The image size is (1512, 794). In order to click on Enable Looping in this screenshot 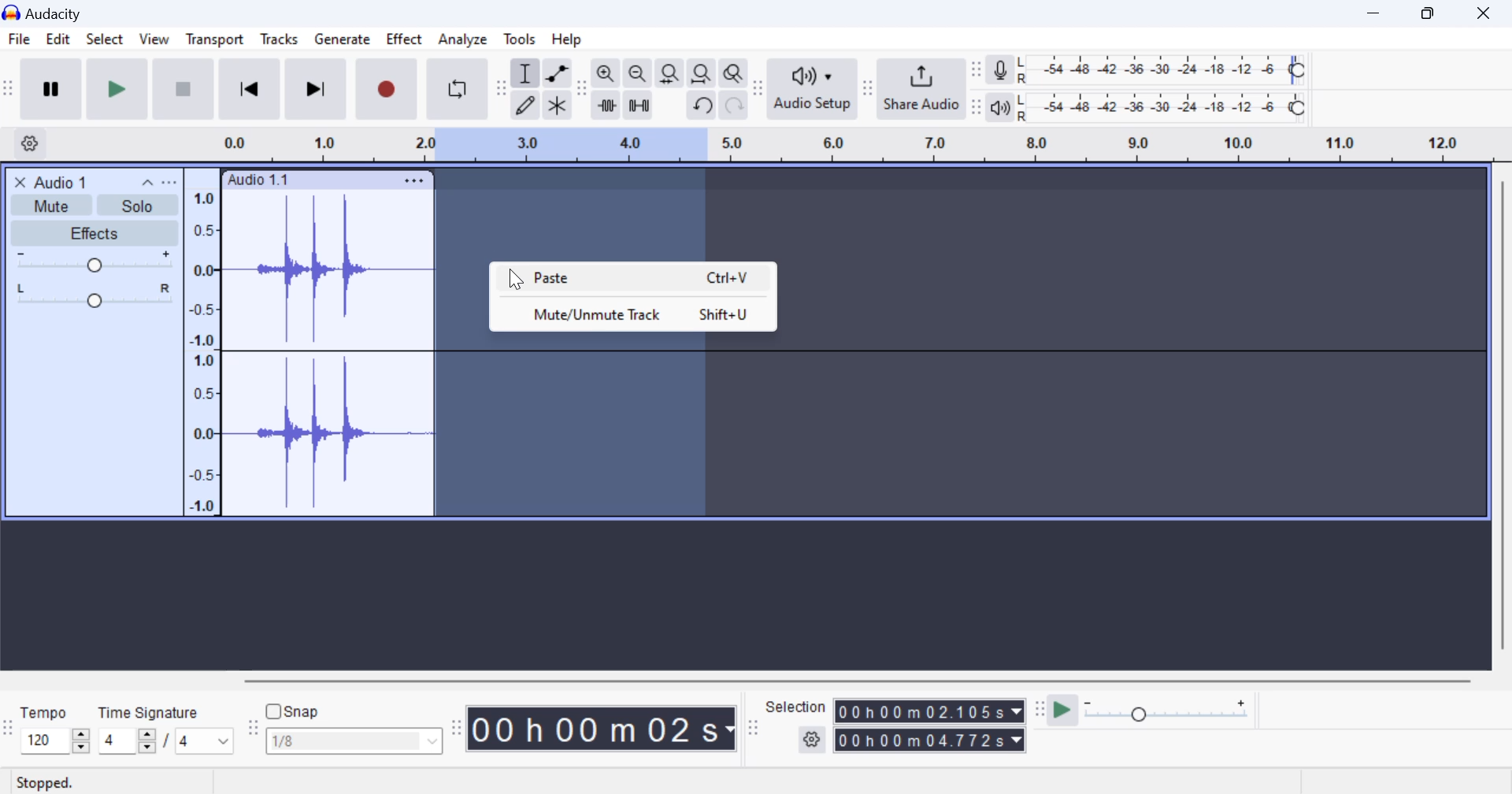, I will do `click(458, 89)`.